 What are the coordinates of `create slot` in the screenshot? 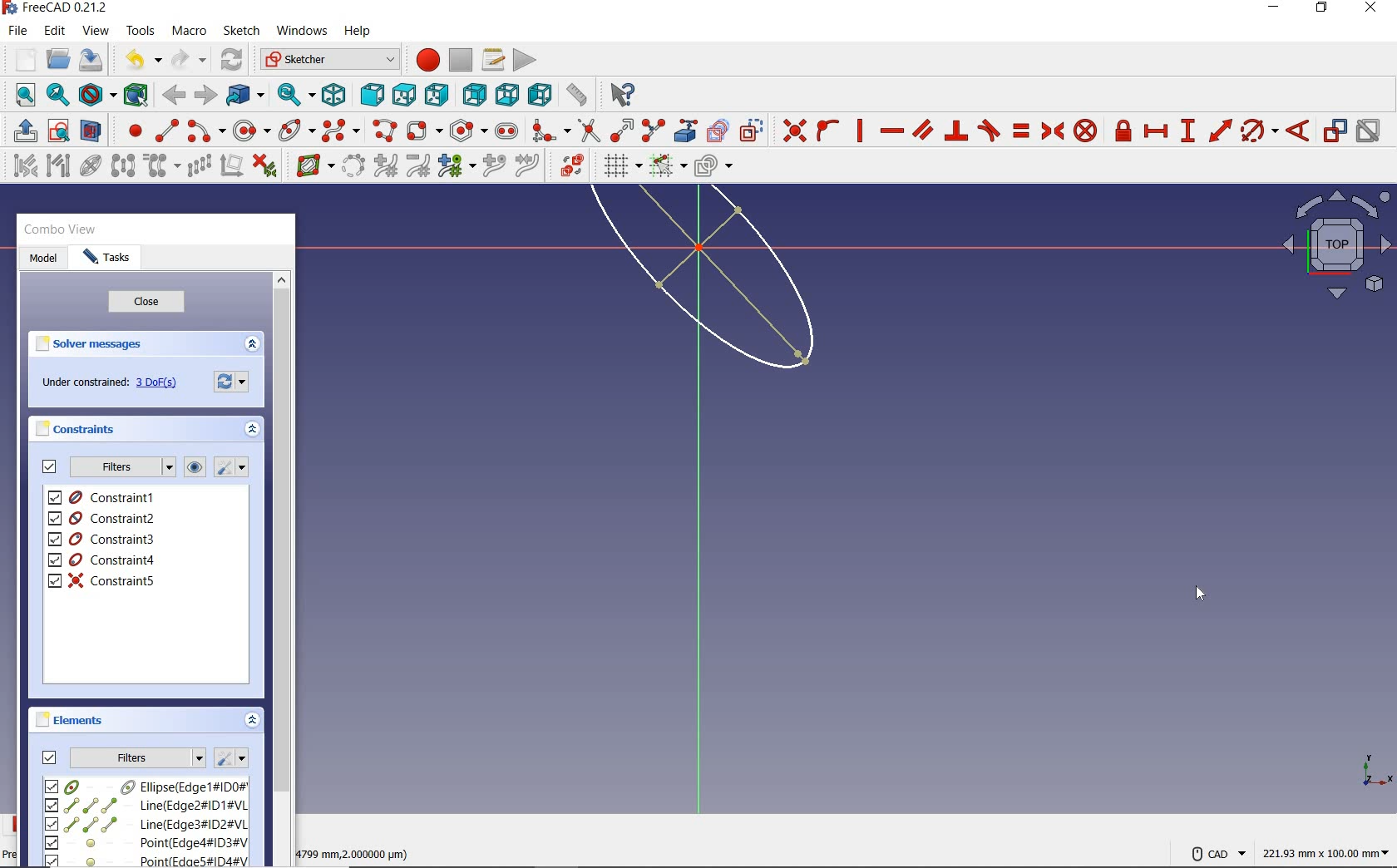 It's located at (505, 130).